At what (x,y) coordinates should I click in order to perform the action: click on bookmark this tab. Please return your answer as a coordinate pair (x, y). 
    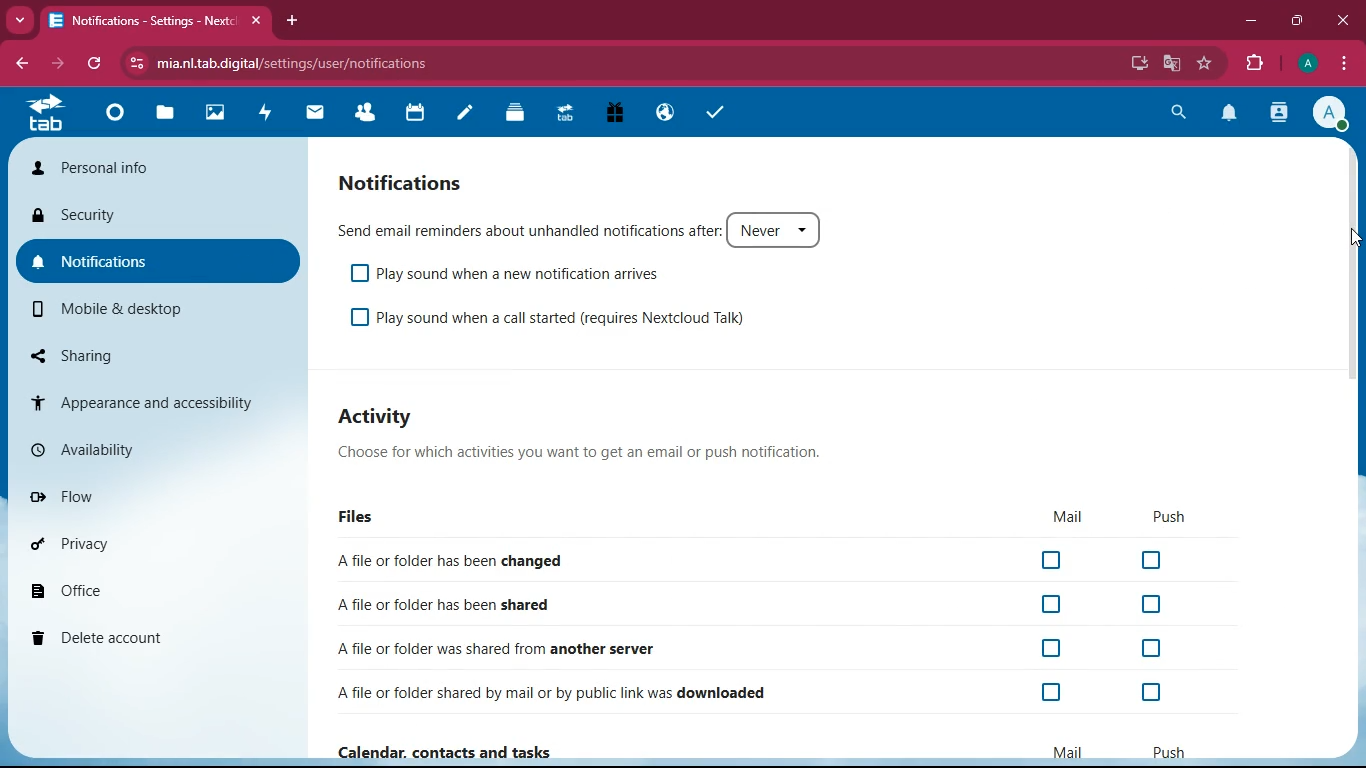
    Looking at the image, I should click on (1205, 61).